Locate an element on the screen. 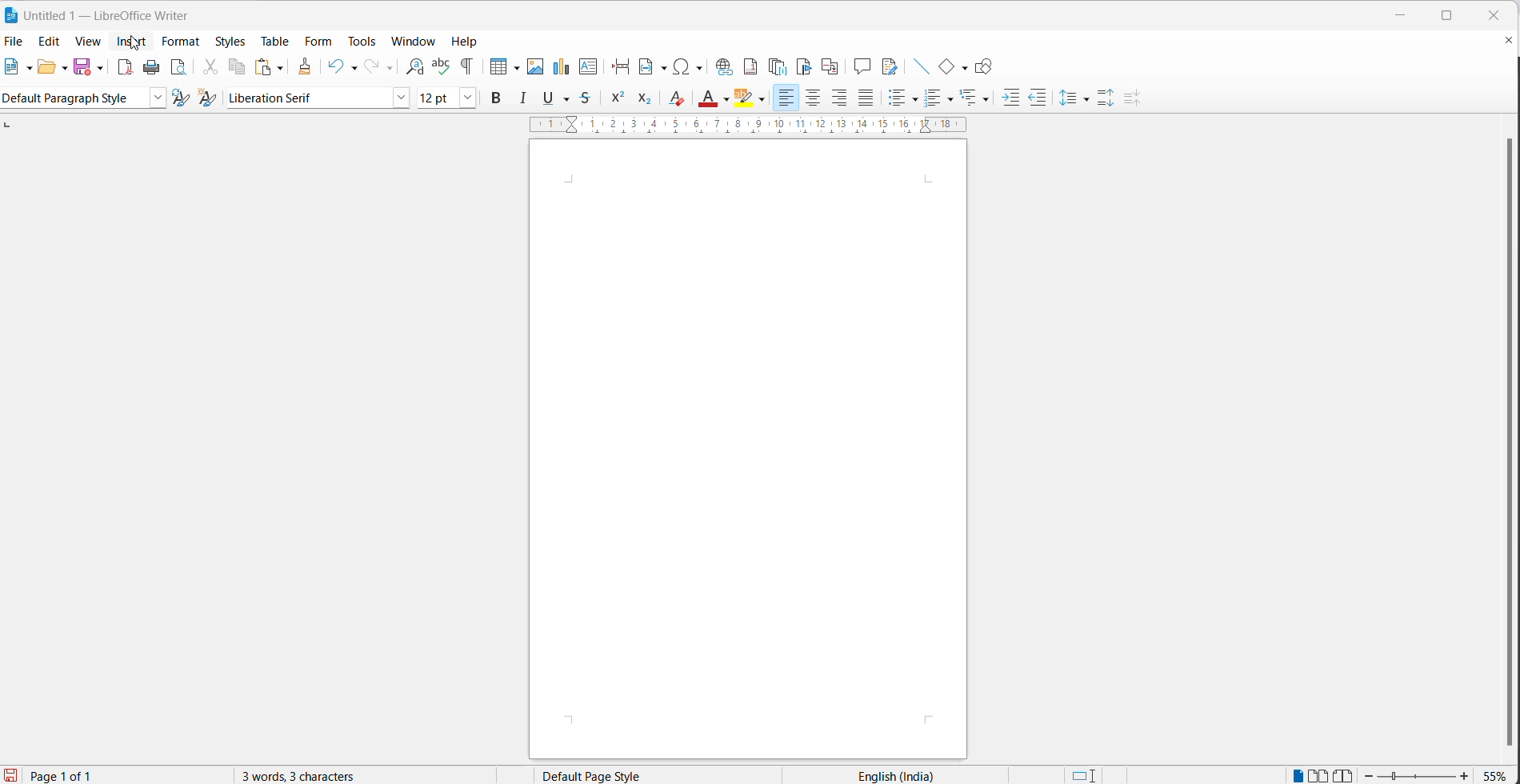  basic shapes is located at coordinates (946, 67).